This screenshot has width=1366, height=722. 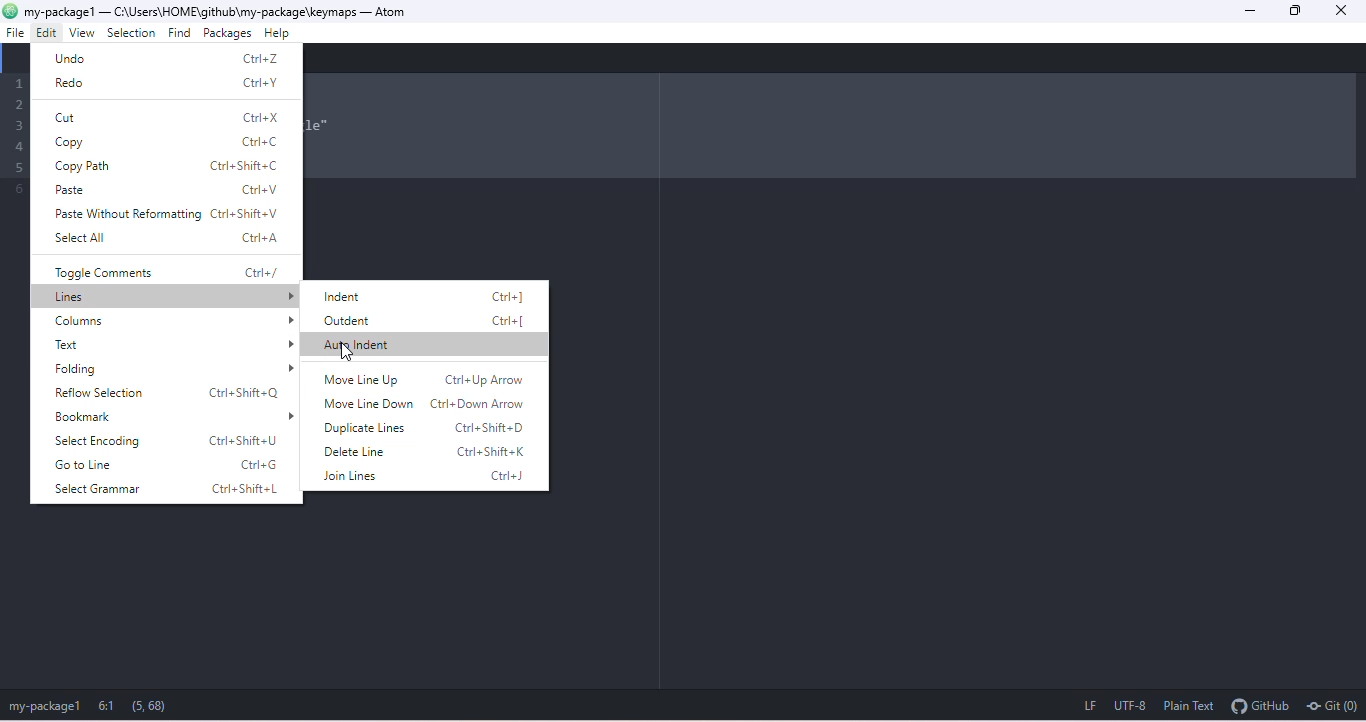 I want to click on help, so click(x=285, y=30).